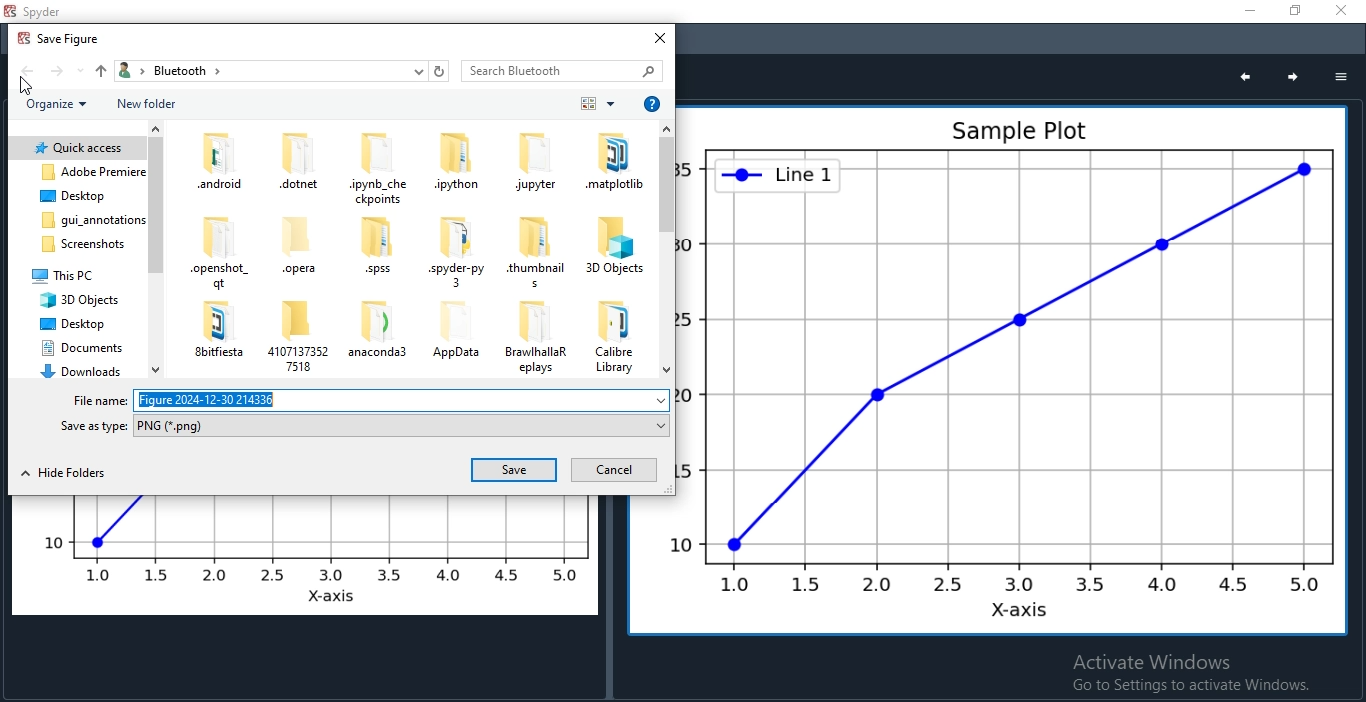 The width and height of the screenshot is (1366, 702). What do you see at coordinates (560, 70) in the screenshot?
I see `search` at bounding box center [560, 70].